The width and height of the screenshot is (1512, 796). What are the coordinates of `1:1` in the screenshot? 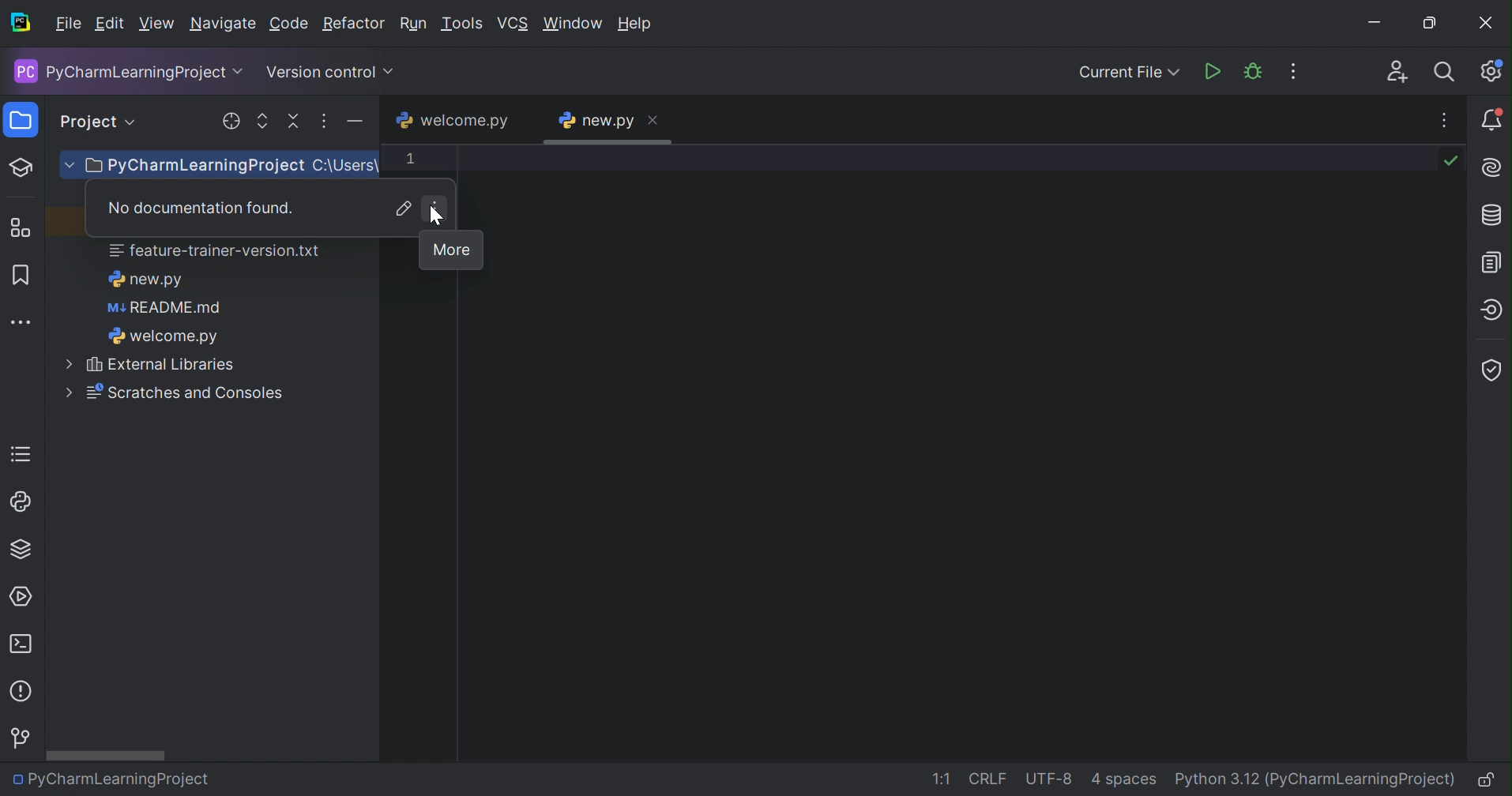 It's located at (942, 779).